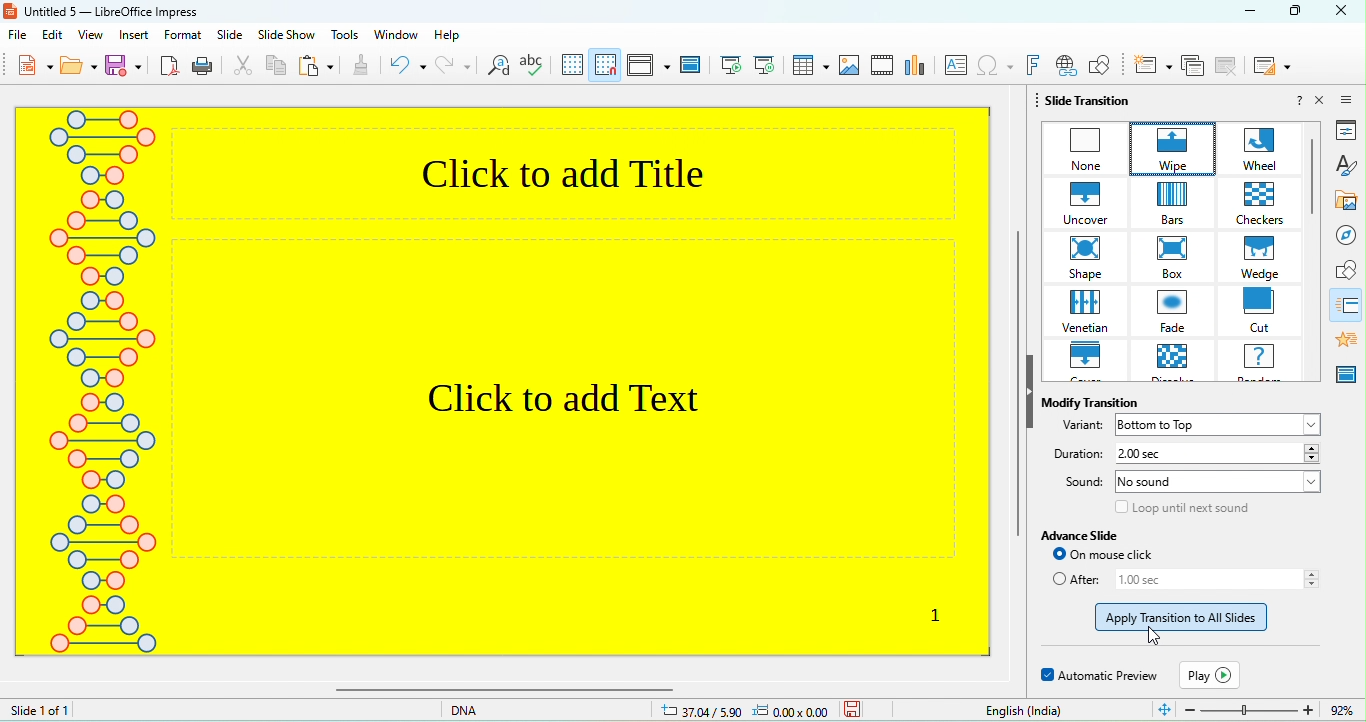 The height and width of the screenshot is (722, 1366). What do you see at coordinates (1342, 268) in the screenshot?
I see `shape` at bounding box center [1342, 268].